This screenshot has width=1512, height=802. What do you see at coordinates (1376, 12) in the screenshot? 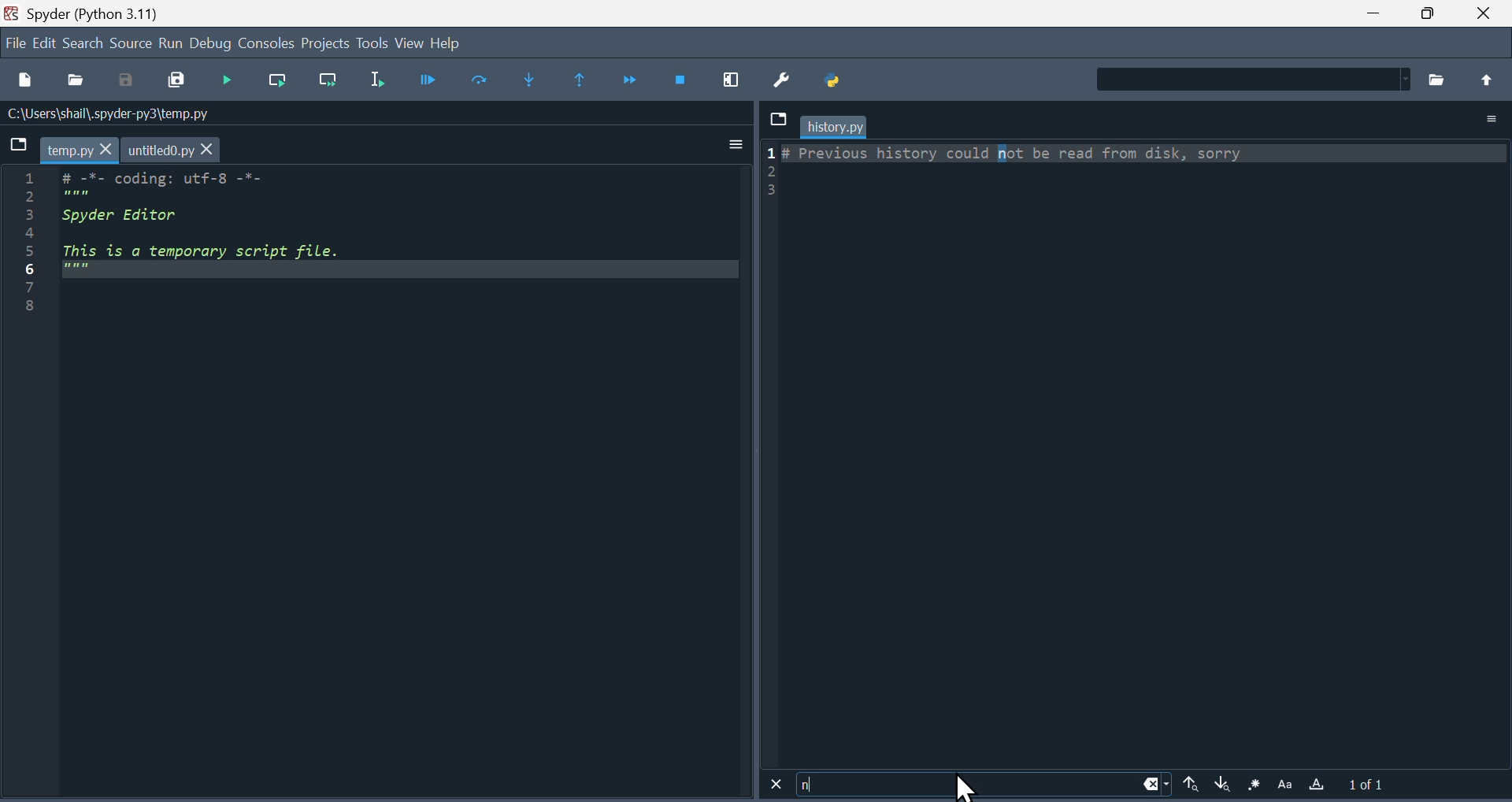
I see `minimise` at bounding box center [1376, 12].